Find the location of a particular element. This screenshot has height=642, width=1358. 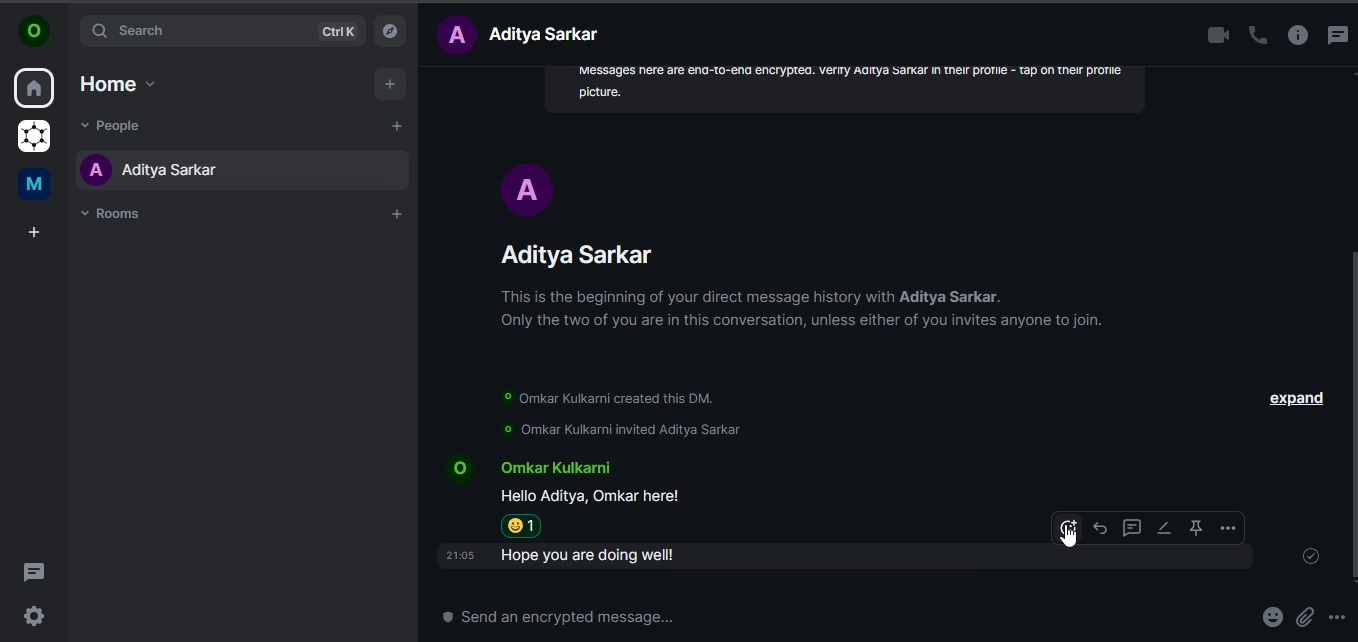

grapheneos is located at coordinates (32, 137).